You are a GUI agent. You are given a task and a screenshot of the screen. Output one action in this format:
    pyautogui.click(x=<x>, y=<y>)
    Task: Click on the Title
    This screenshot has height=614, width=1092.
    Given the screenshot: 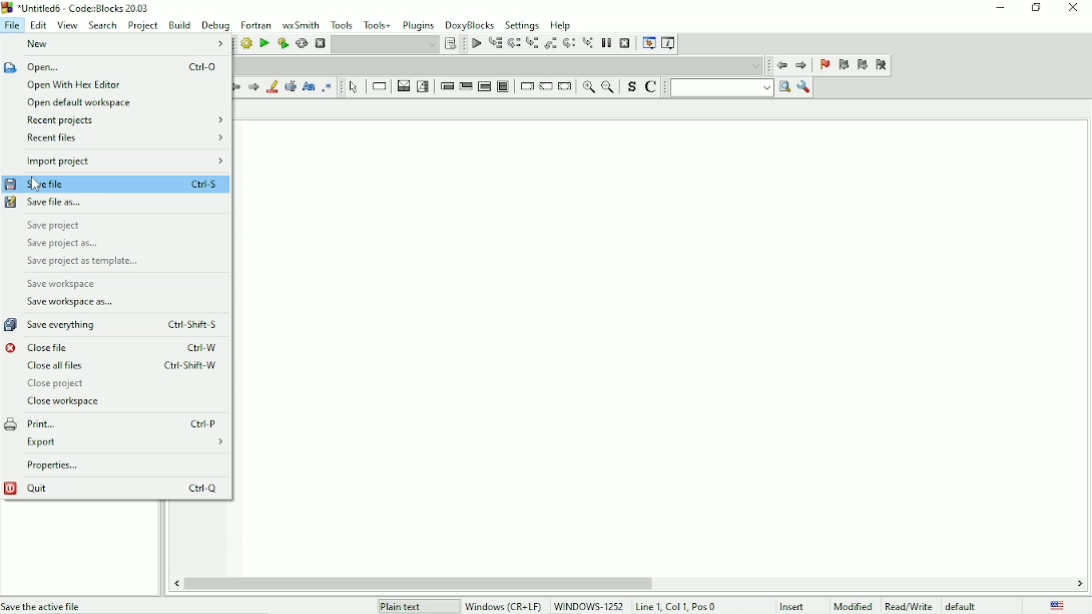 What is the action you would take?
    pyautogui.click(x=79, y=8)
    